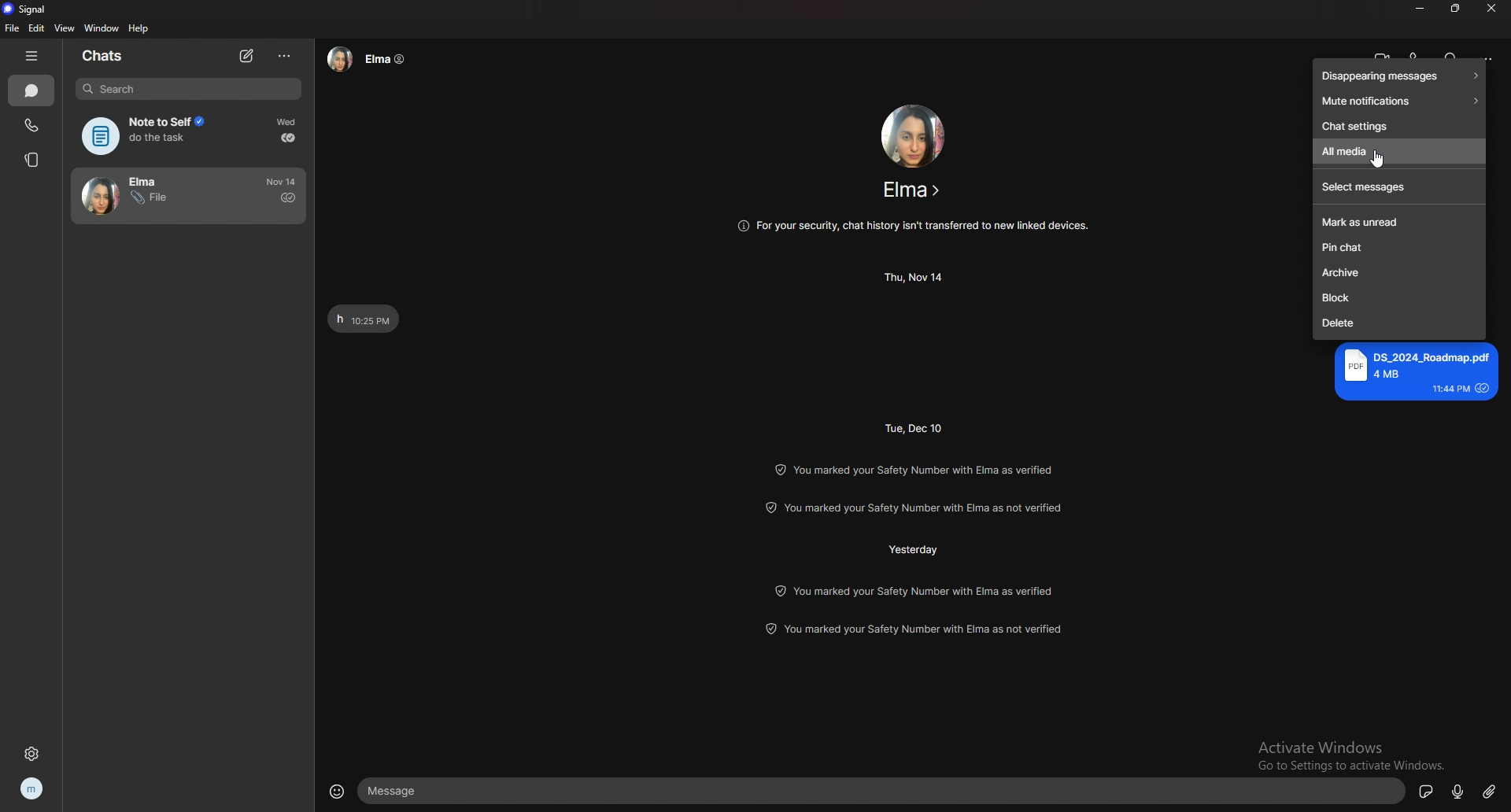 This screenshot has width=1511, height=812. I want to click on time, so click(914, 549).